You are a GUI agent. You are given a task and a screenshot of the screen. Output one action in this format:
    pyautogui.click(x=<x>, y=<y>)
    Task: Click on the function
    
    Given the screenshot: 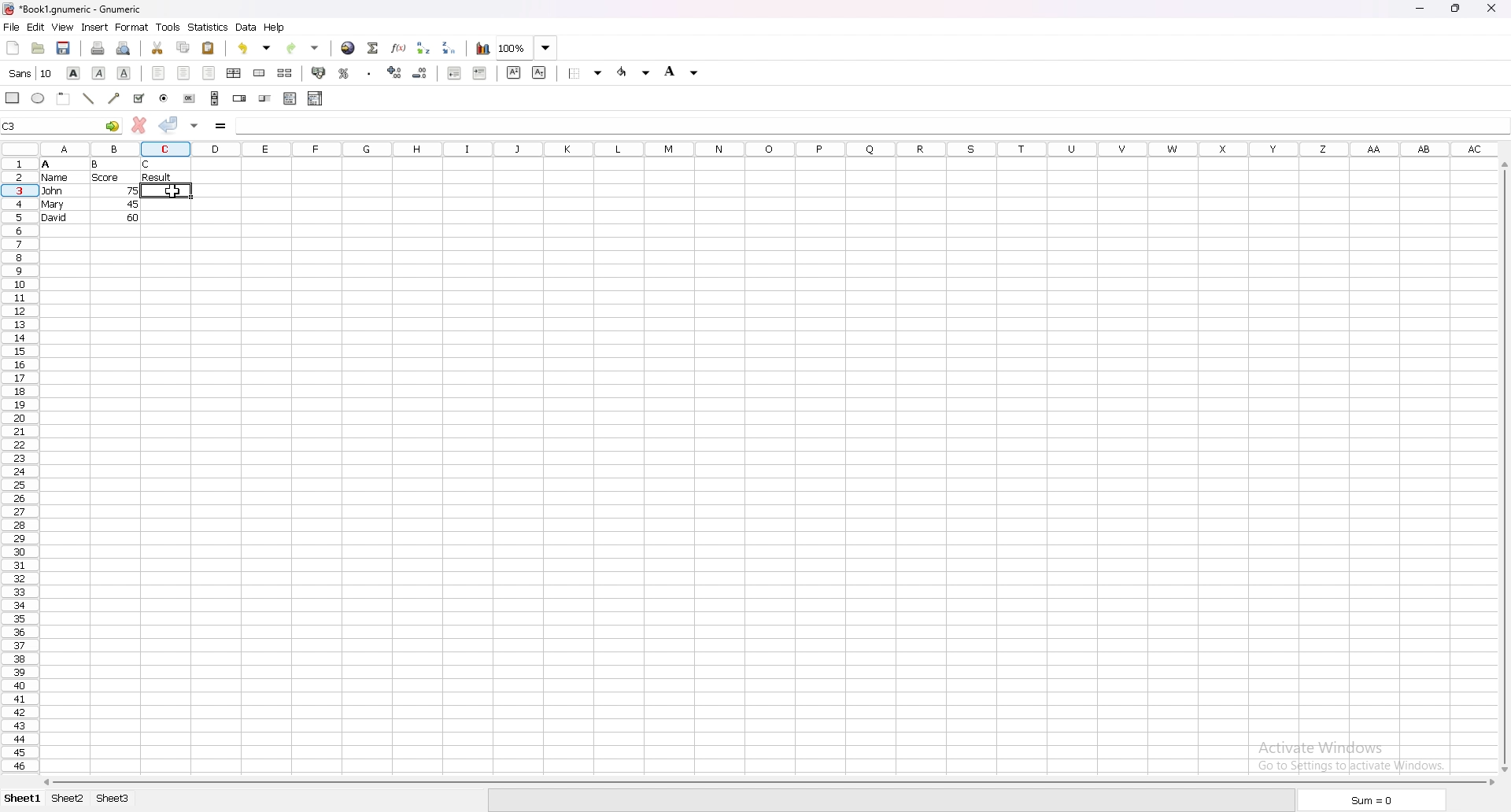 What is the action you would take?
    pyautogui.click(x=398, y=49)
    